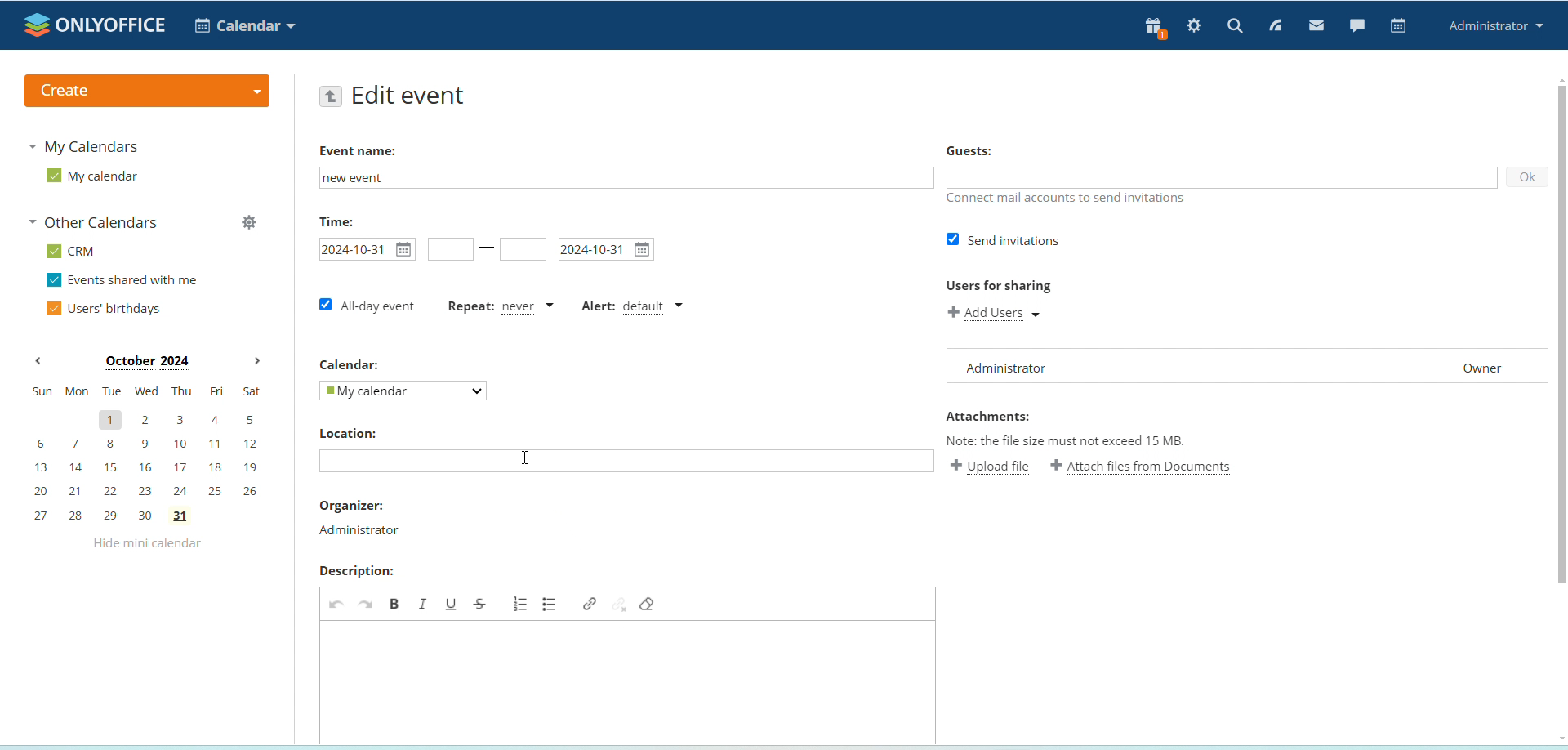 This screenshot has width=1568, height=750. What do you see at coordinates (1246, 367) in the screenshot?
I see `user list` at bounding box center [1246, 367].